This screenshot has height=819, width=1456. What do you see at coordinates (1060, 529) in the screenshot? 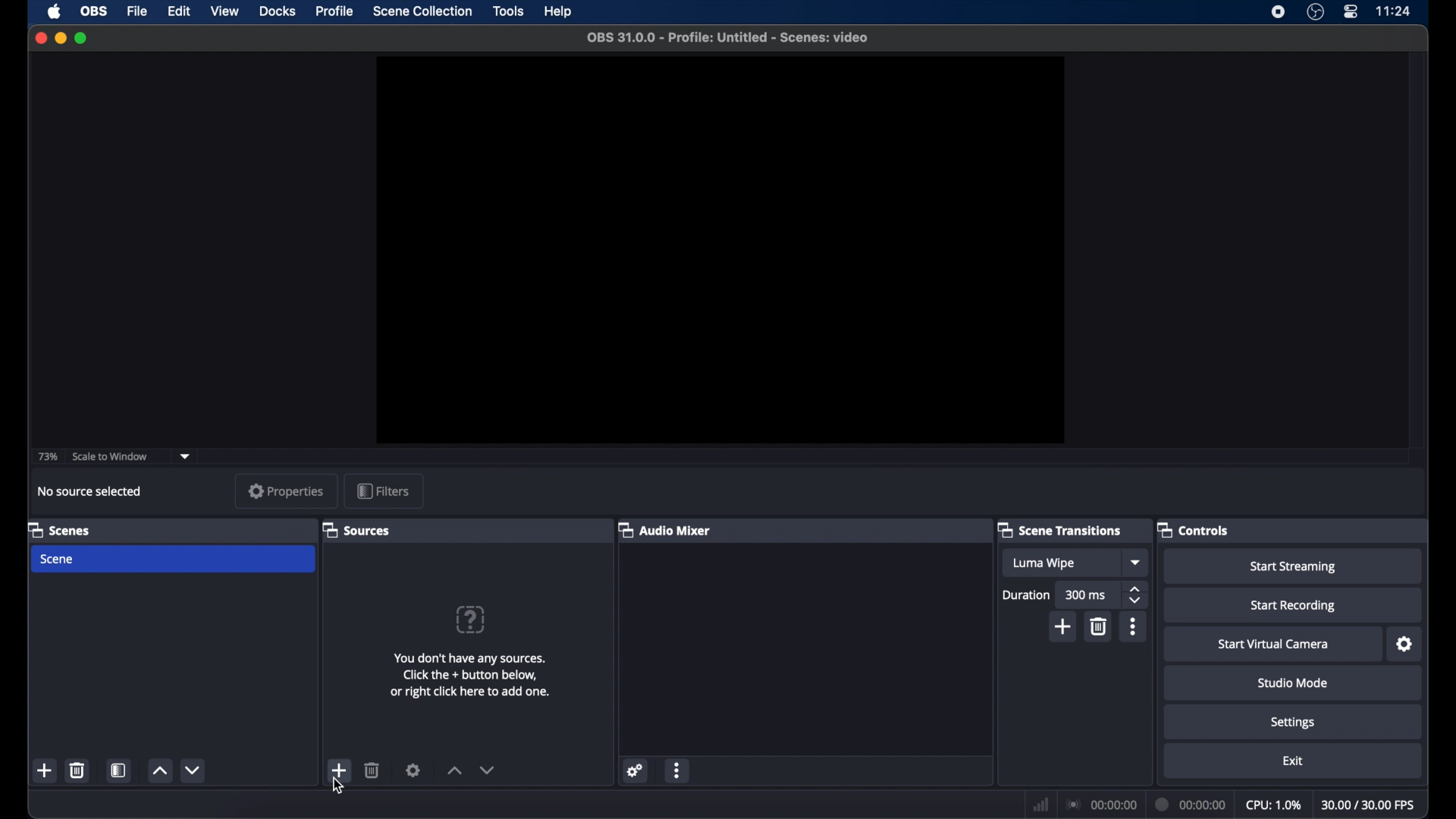
I see `scene transitions` at bounding box center [1060, 529].